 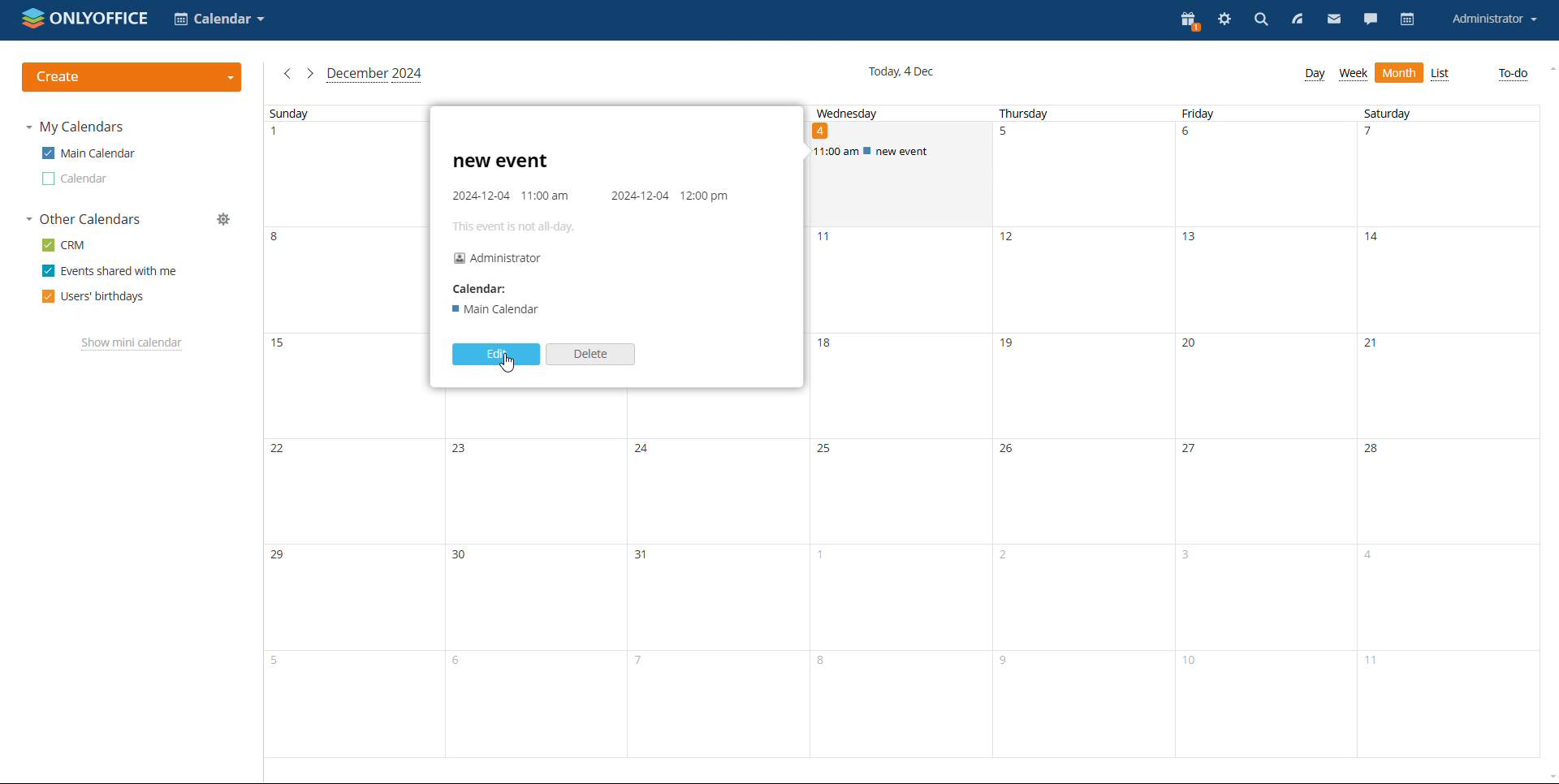 I want to click on other calendars, so click(x=84, y=220).